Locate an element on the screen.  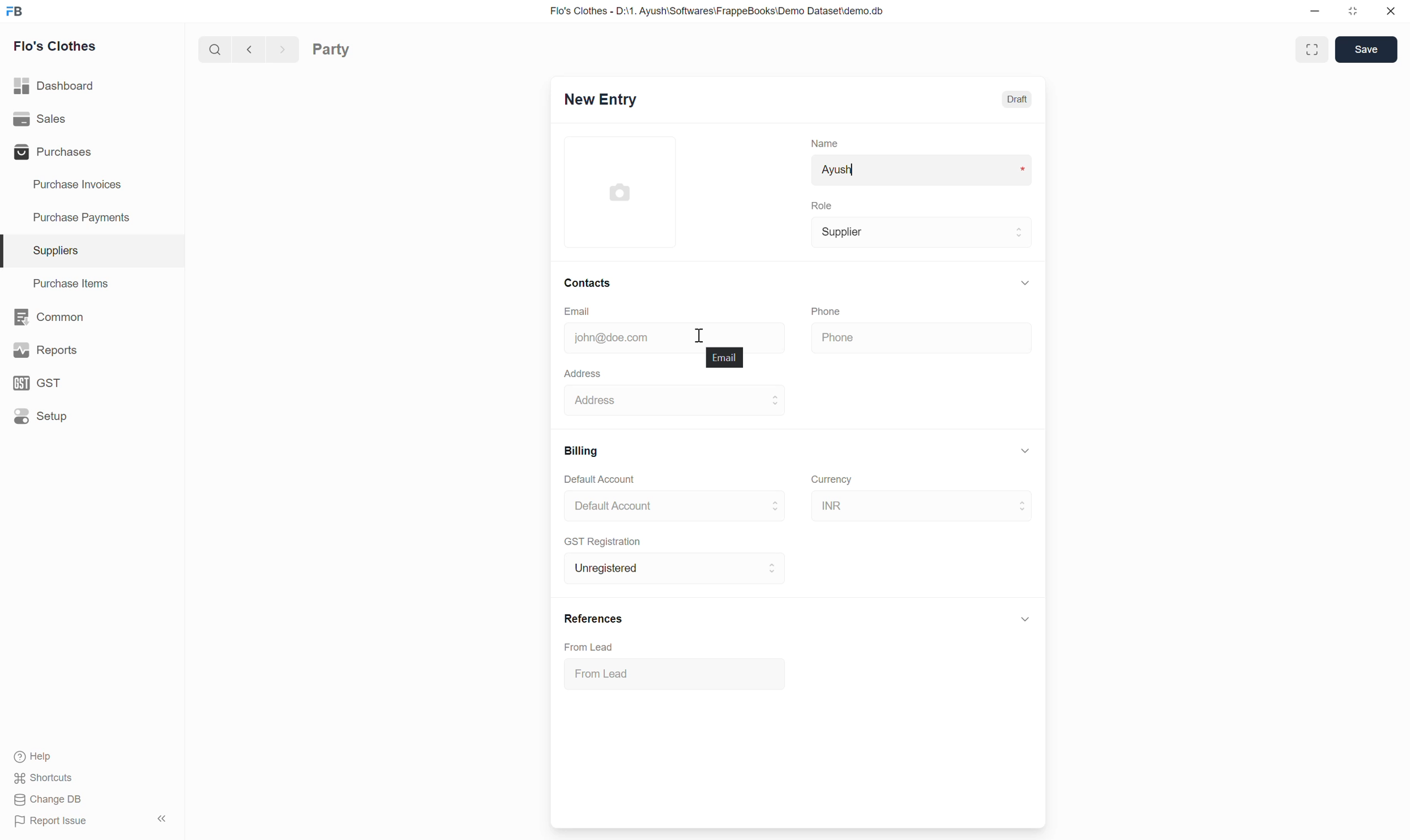
Sales is located at coordinates (92, 119).